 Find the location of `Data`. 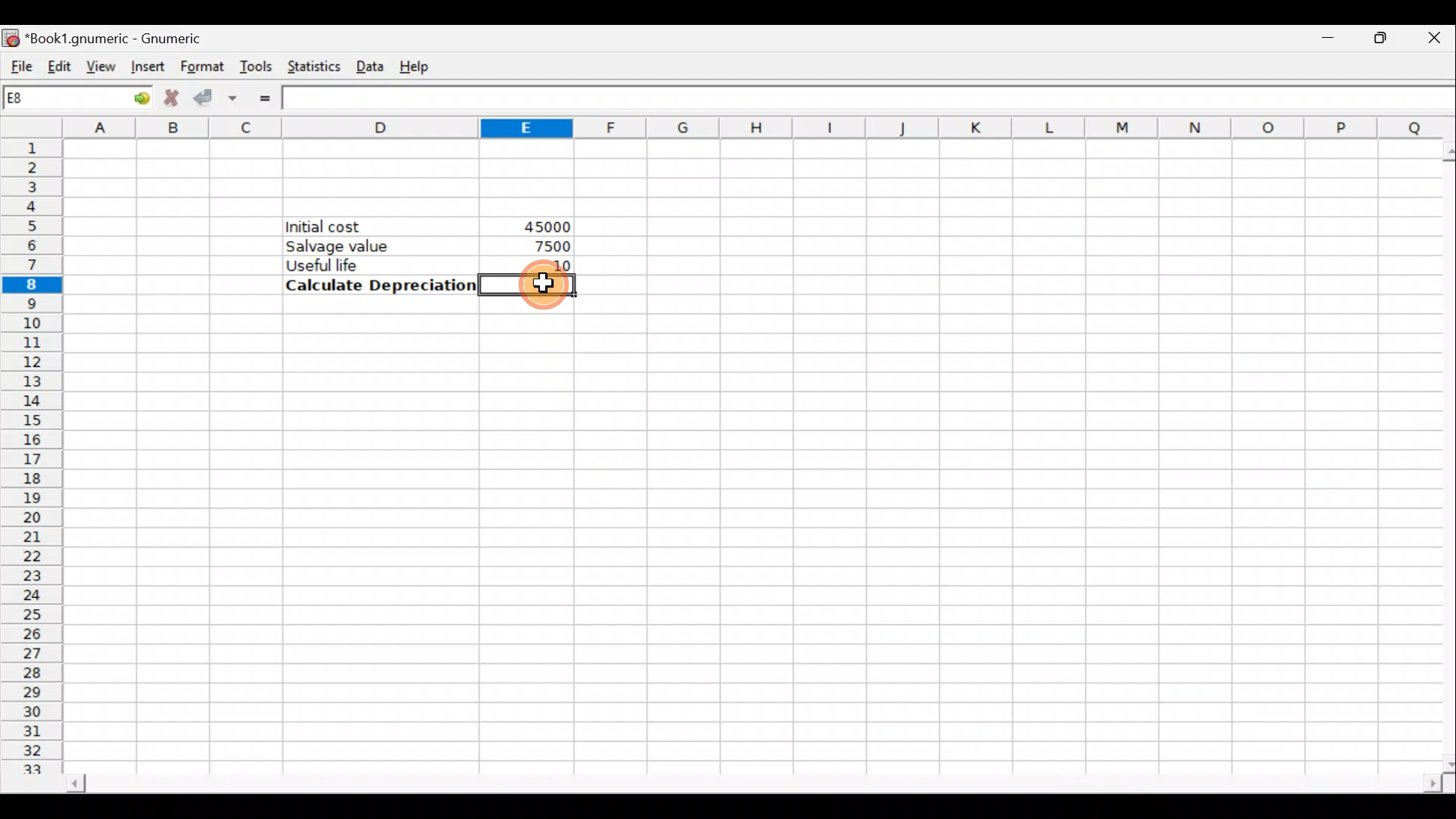

Data is located at coordinates (372, 67).